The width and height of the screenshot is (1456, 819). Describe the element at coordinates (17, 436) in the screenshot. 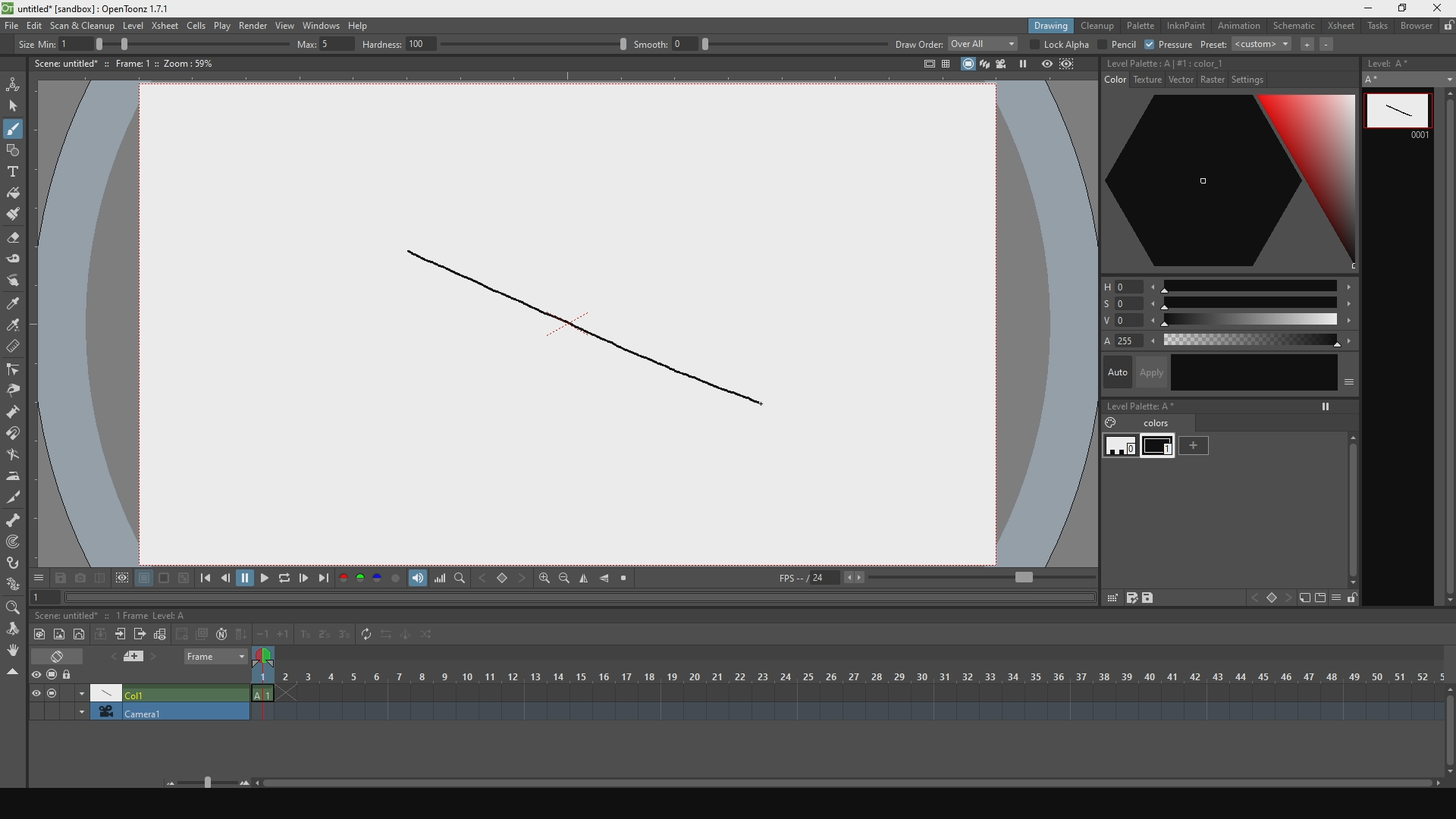

I see `iman` at that location.